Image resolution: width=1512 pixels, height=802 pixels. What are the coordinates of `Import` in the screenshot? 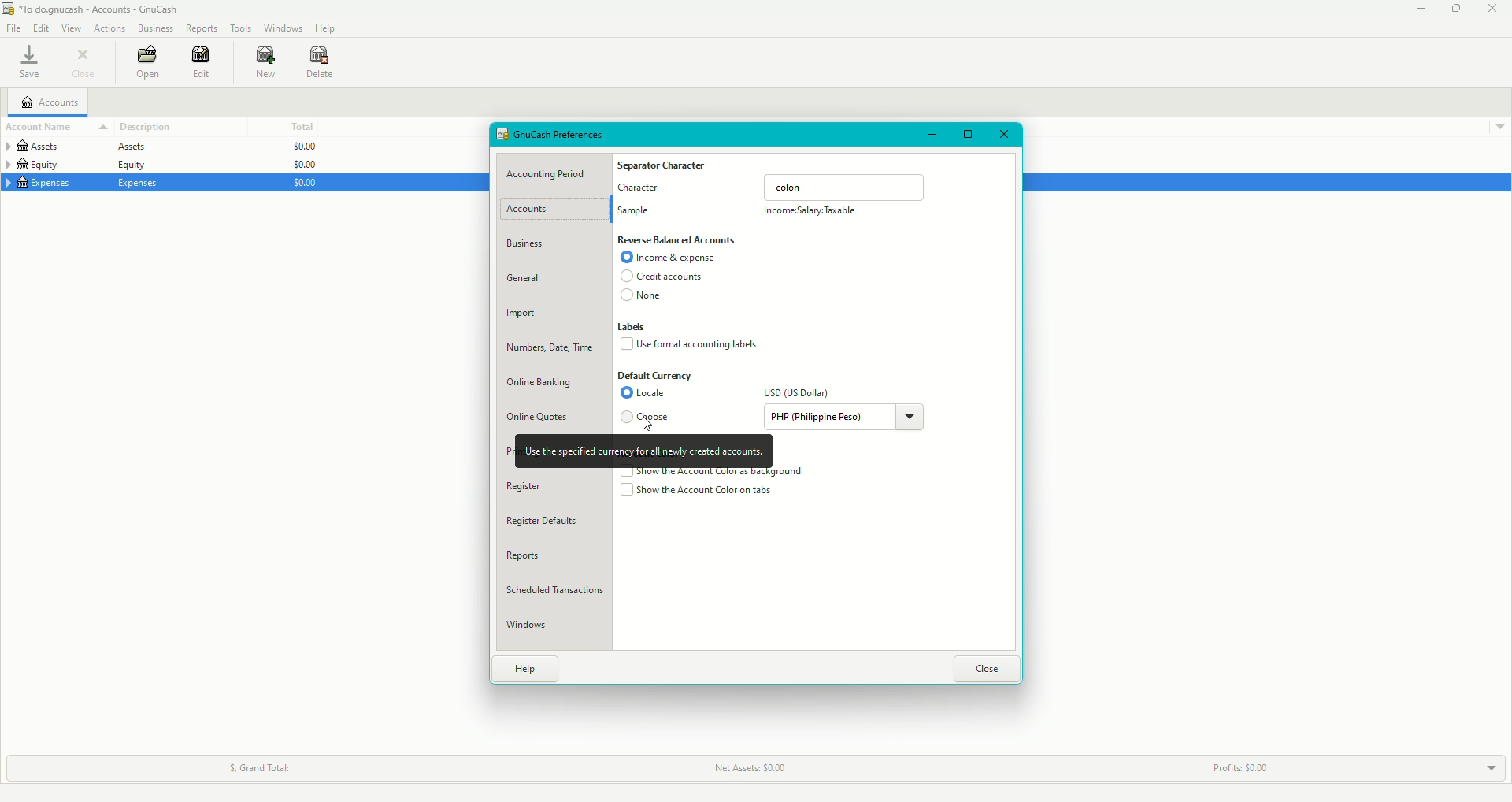 It's located at (524, 315).